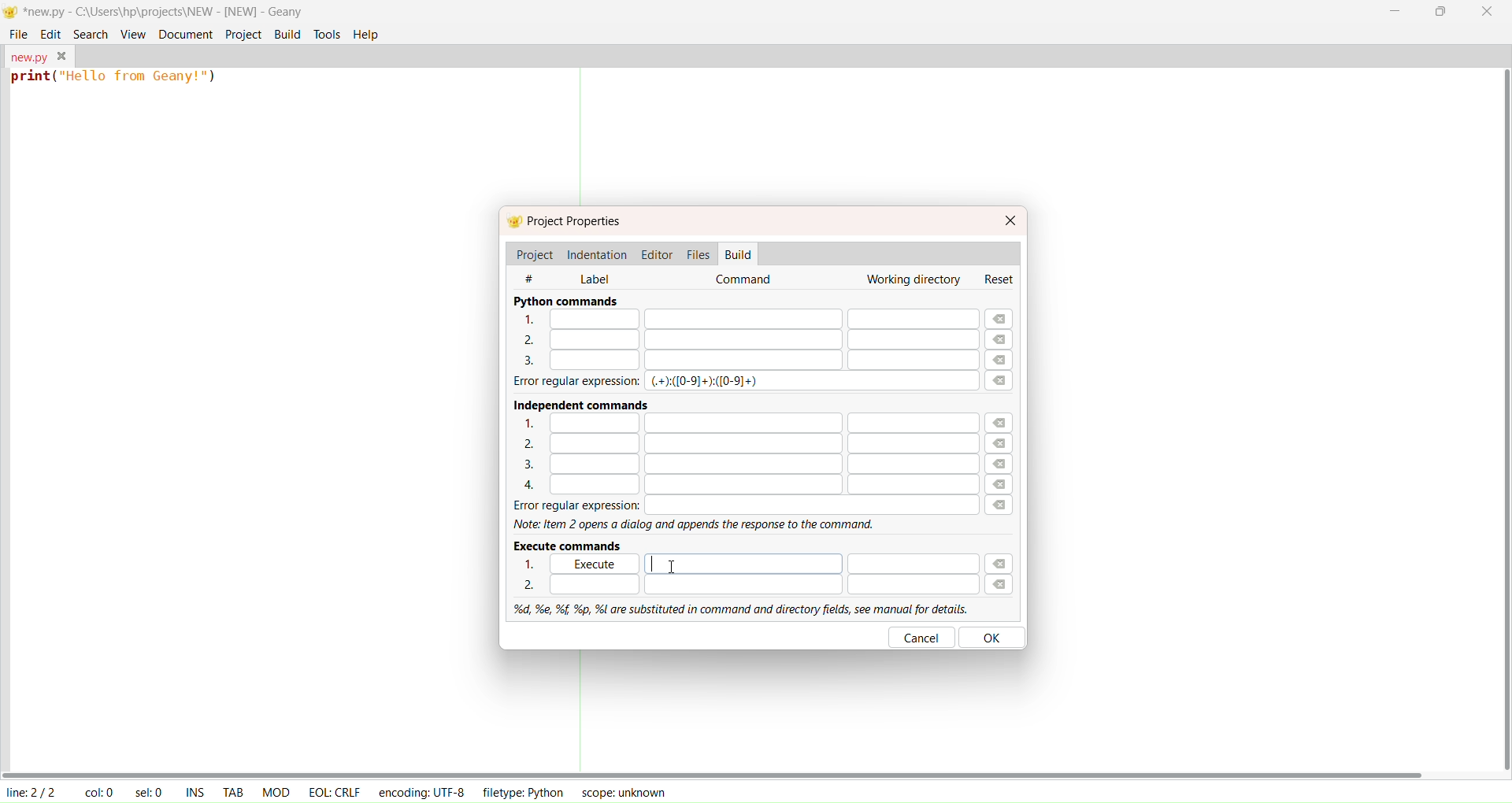 This screenshot has height=803, width=1512. What do you see at coordinates (738, 486) in the screenshot?
I see `4.` at bounding box center [738, 486].